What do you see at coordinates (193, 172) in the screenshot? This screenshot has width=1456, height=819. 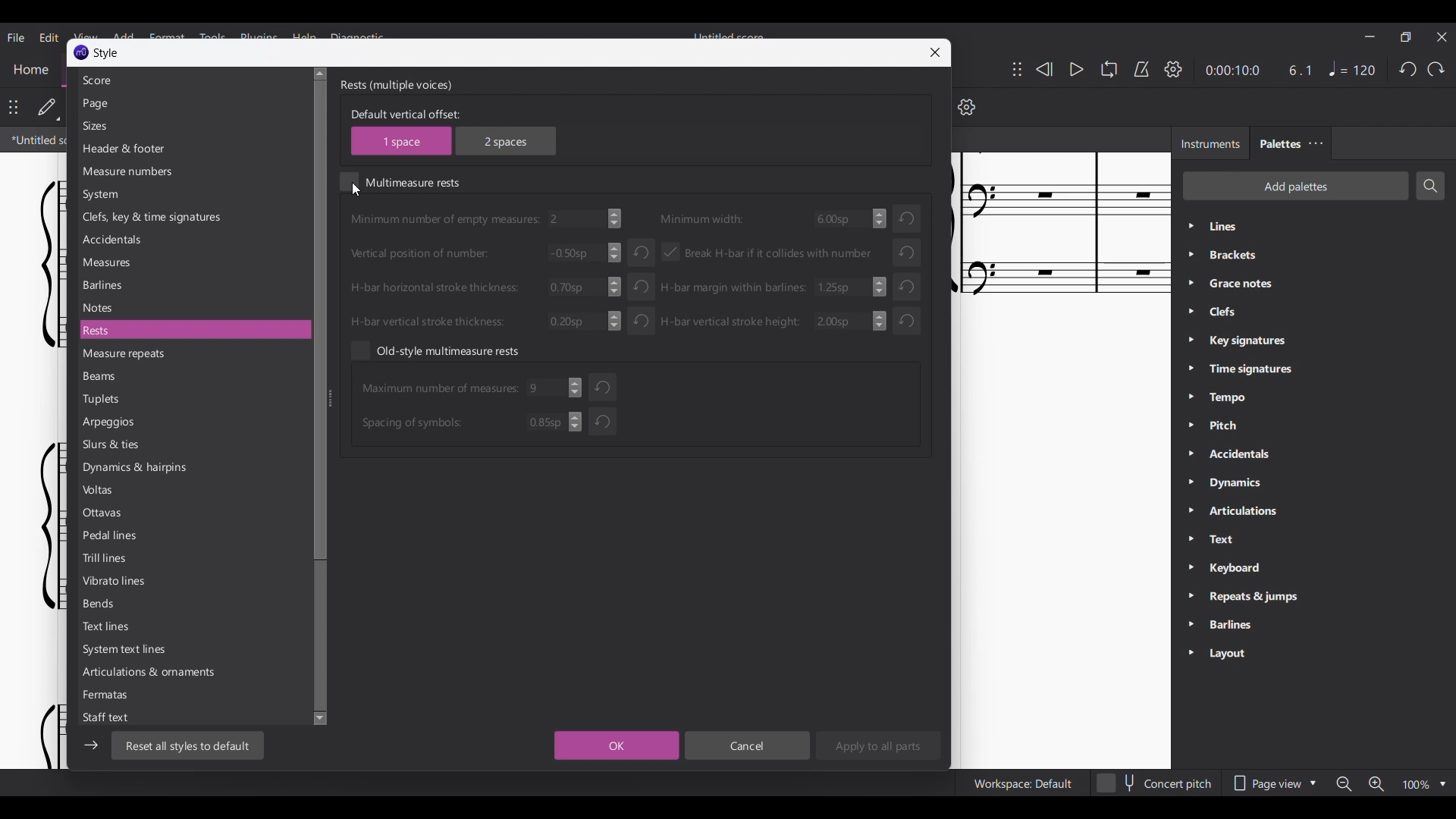 I see `Measure numbers` at bounding box center [193, 172].